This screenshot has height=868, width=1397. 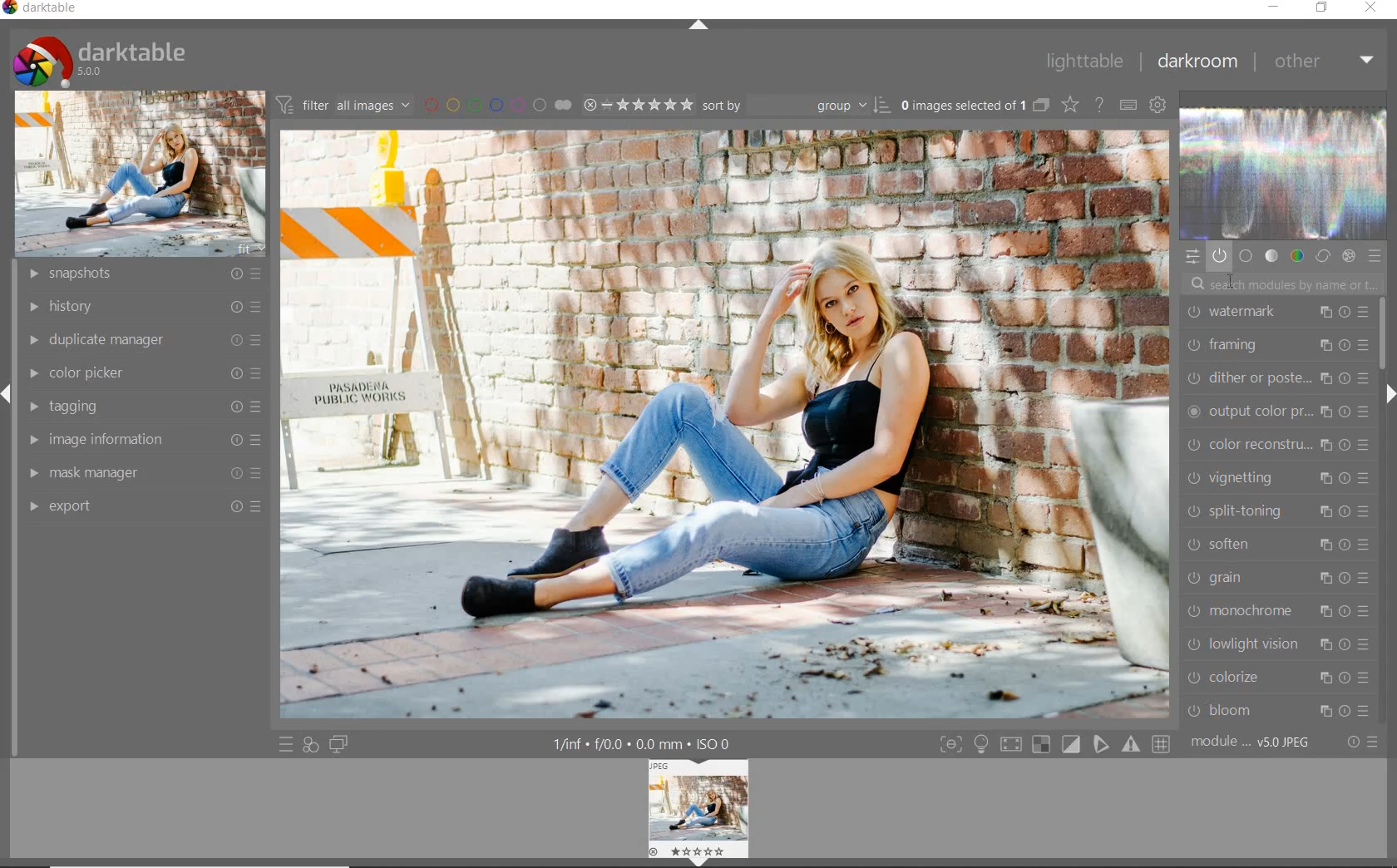 What do you see at coordinates (1199, 62) in the screenshot?
I see `darkroom` at bounding box center [1199, 62].